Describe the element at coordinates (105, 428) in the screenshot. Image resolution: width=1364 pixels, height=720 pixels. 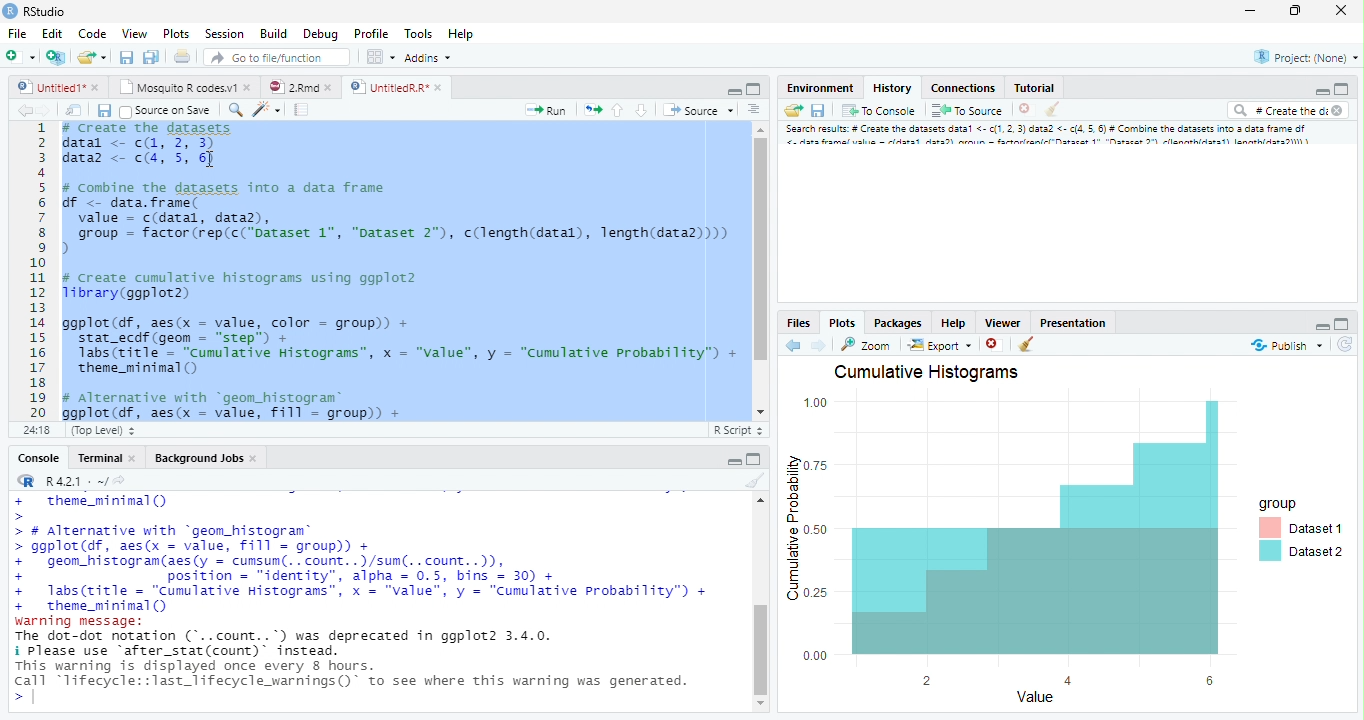
I see `Top level` at that location.